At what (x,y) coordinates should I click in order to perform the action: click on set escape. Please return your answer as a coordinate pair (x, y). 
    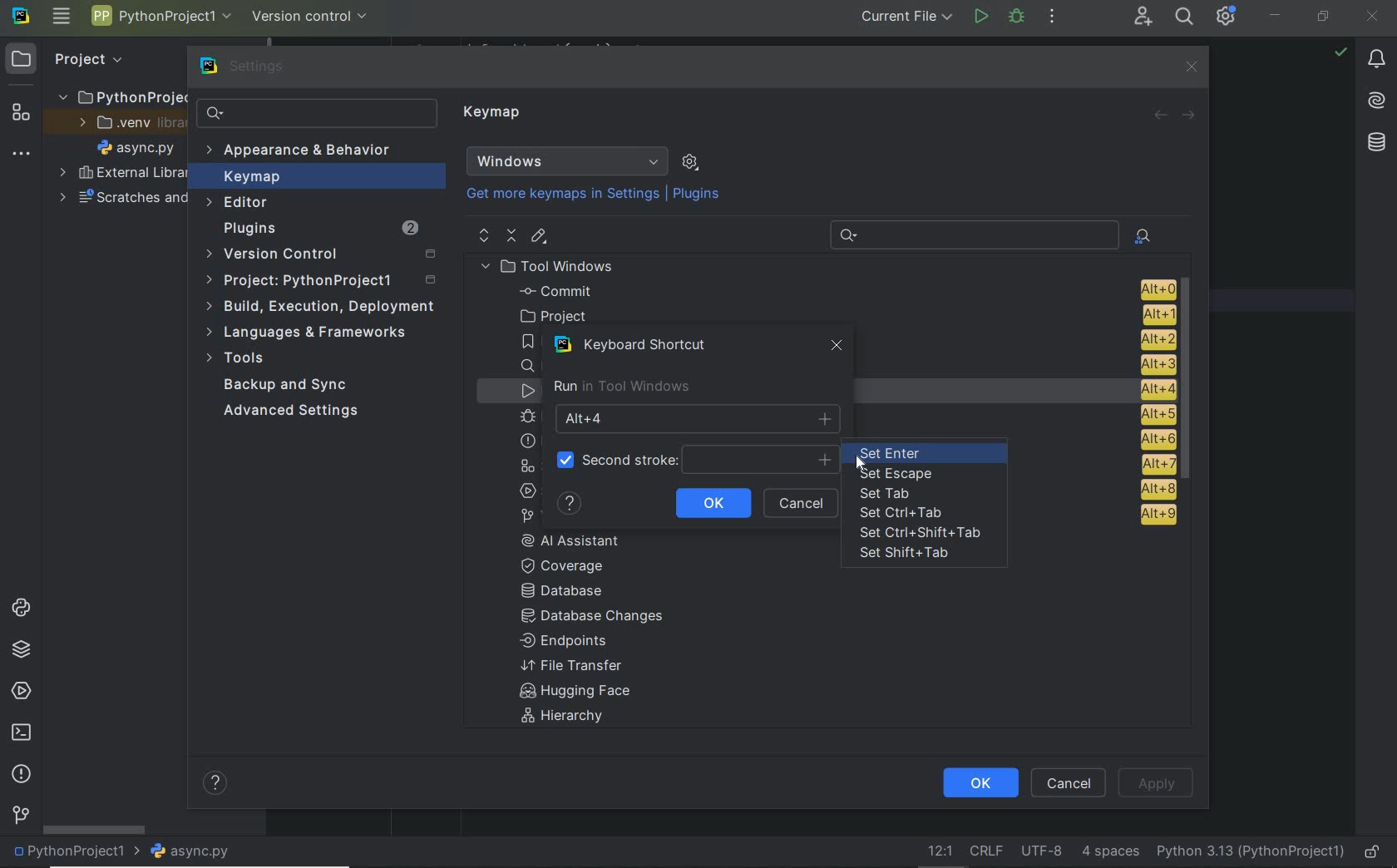
    Looking at the image, I should click on (899, 475).